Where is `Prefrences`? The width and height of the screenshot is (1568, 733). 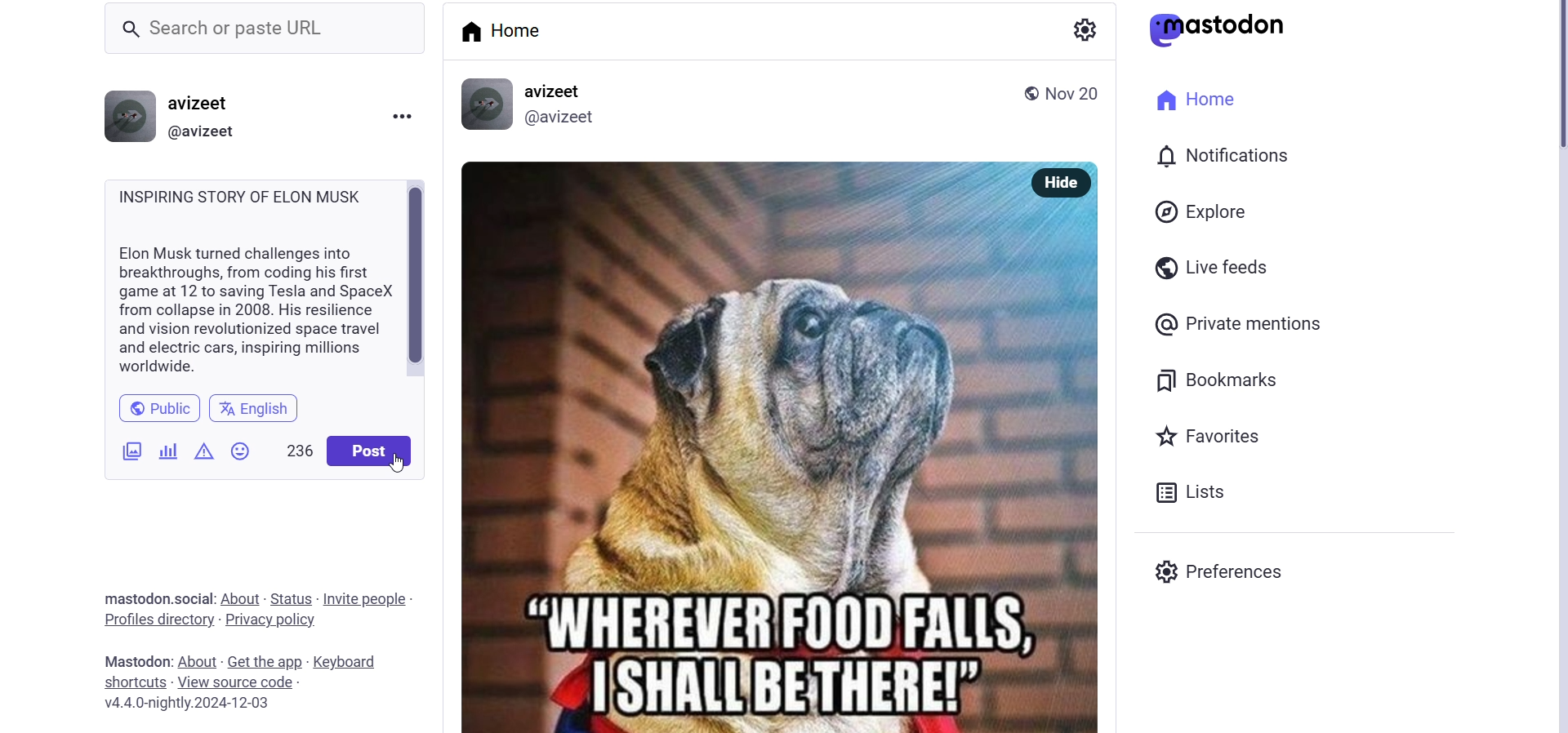 Prefrences is located at coordinates (1237, 571).